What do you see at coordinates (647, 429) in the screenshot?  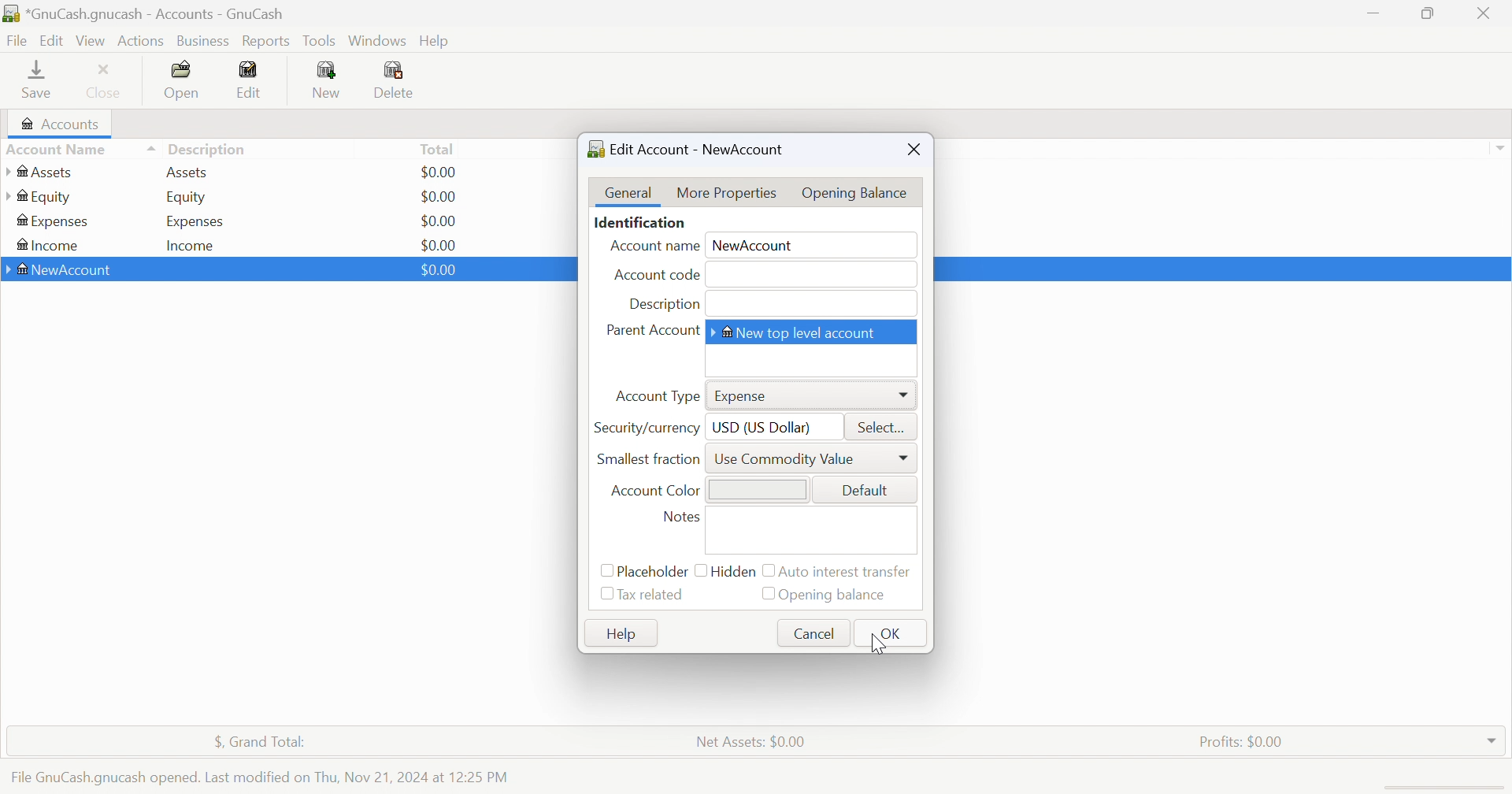 I see `Security/currency` at bounding box center [647, 429].